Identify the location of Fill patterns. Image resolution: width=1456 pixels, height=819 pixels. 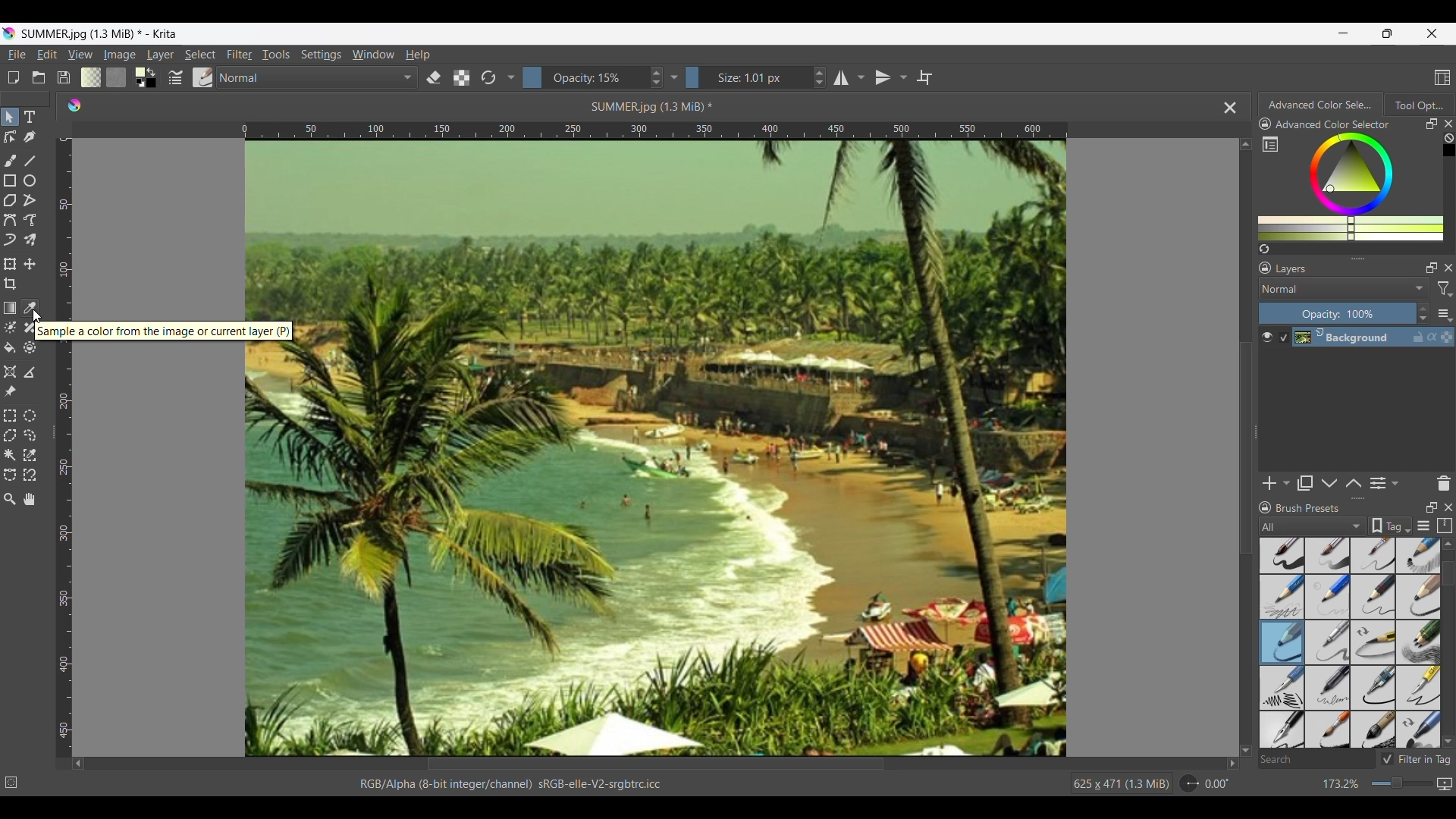
(116, 77).